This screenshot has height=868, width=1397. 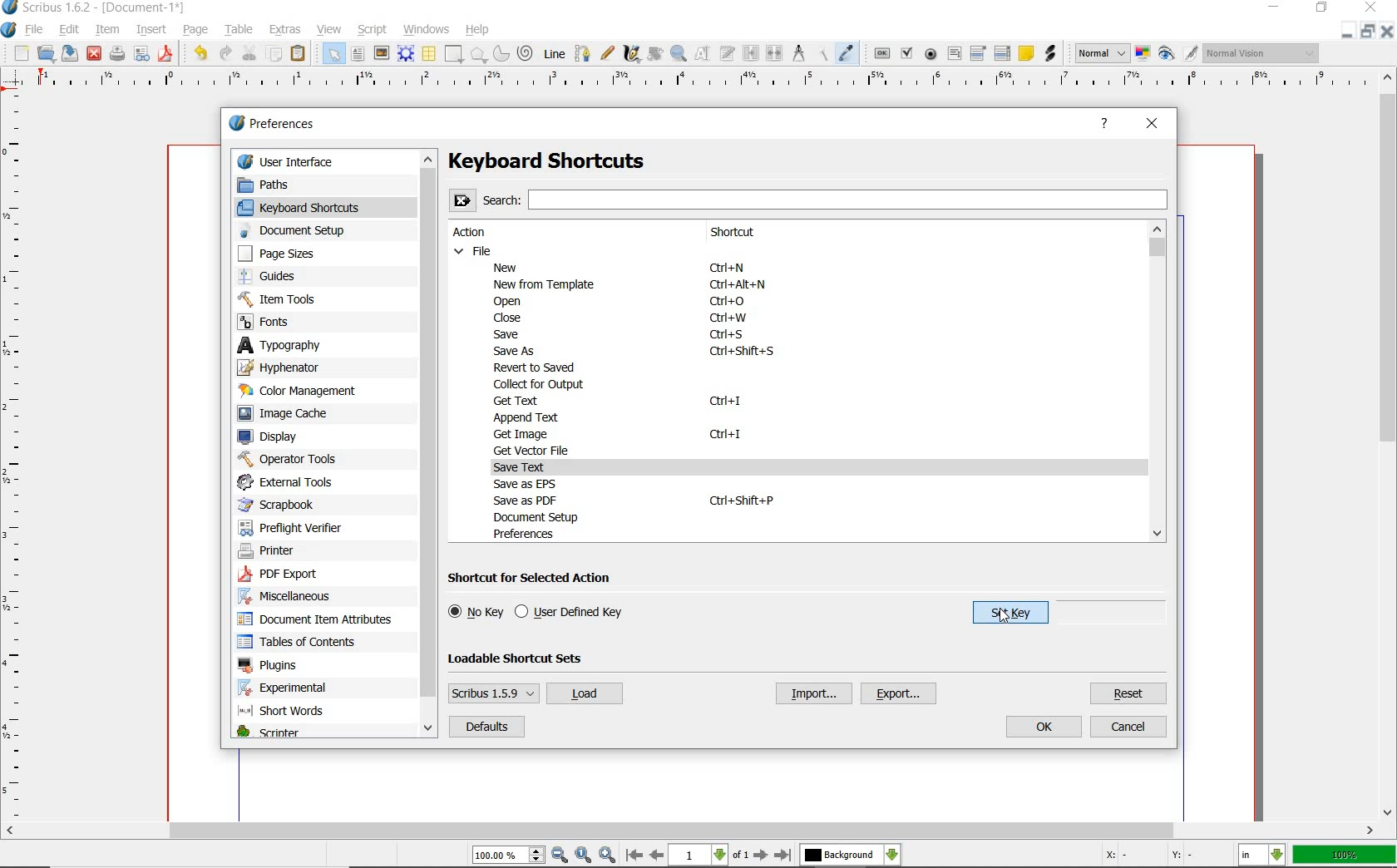 I want to click on Ctrl + N, so click(x=734, y=269).